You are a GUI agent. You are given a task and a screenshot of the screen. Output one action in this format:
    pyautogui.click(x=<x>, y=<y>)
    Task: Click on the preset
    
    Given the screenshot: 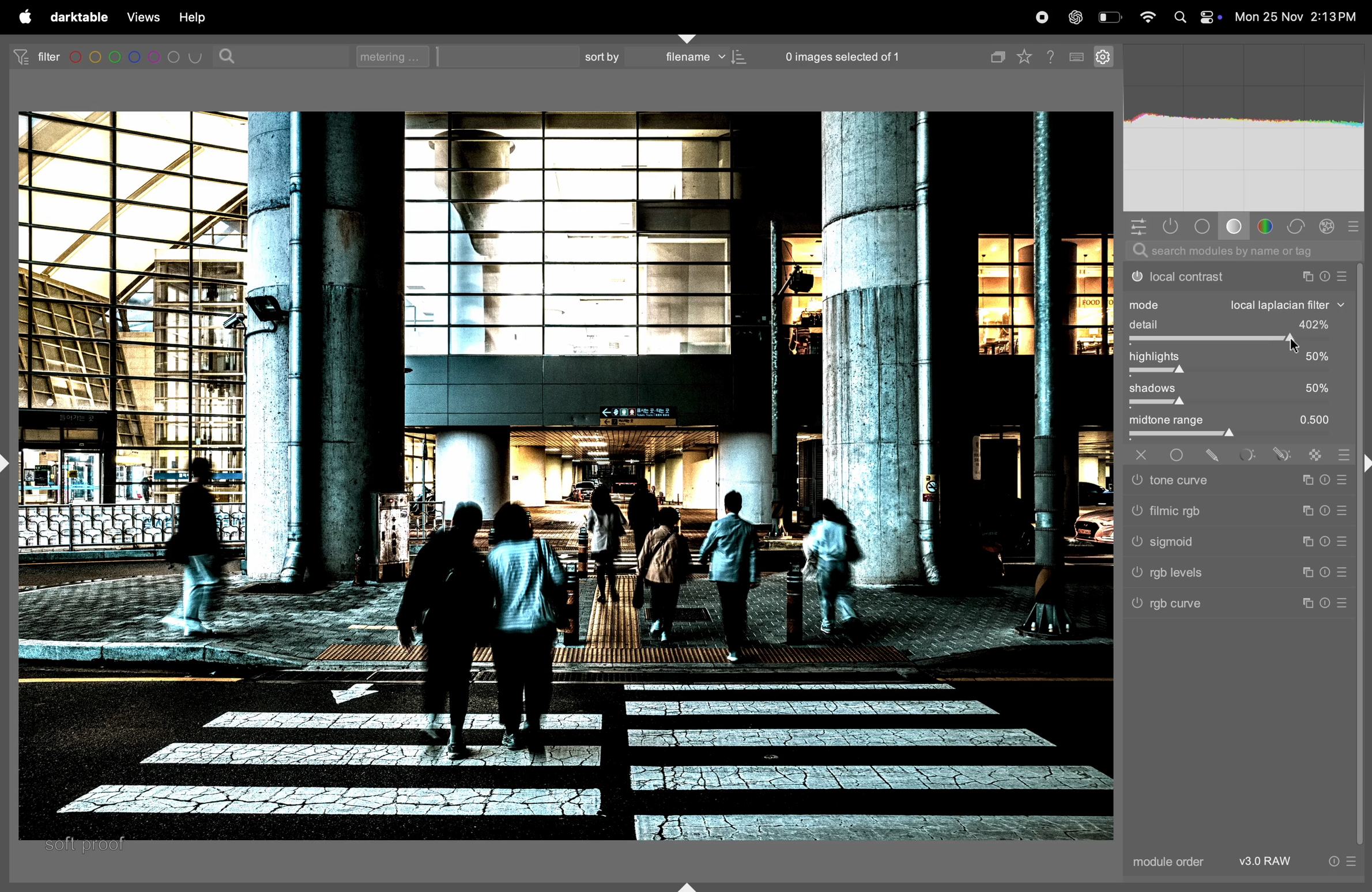 What is the action you would take?
    pyautogui.click(x=1343, y=479)
    